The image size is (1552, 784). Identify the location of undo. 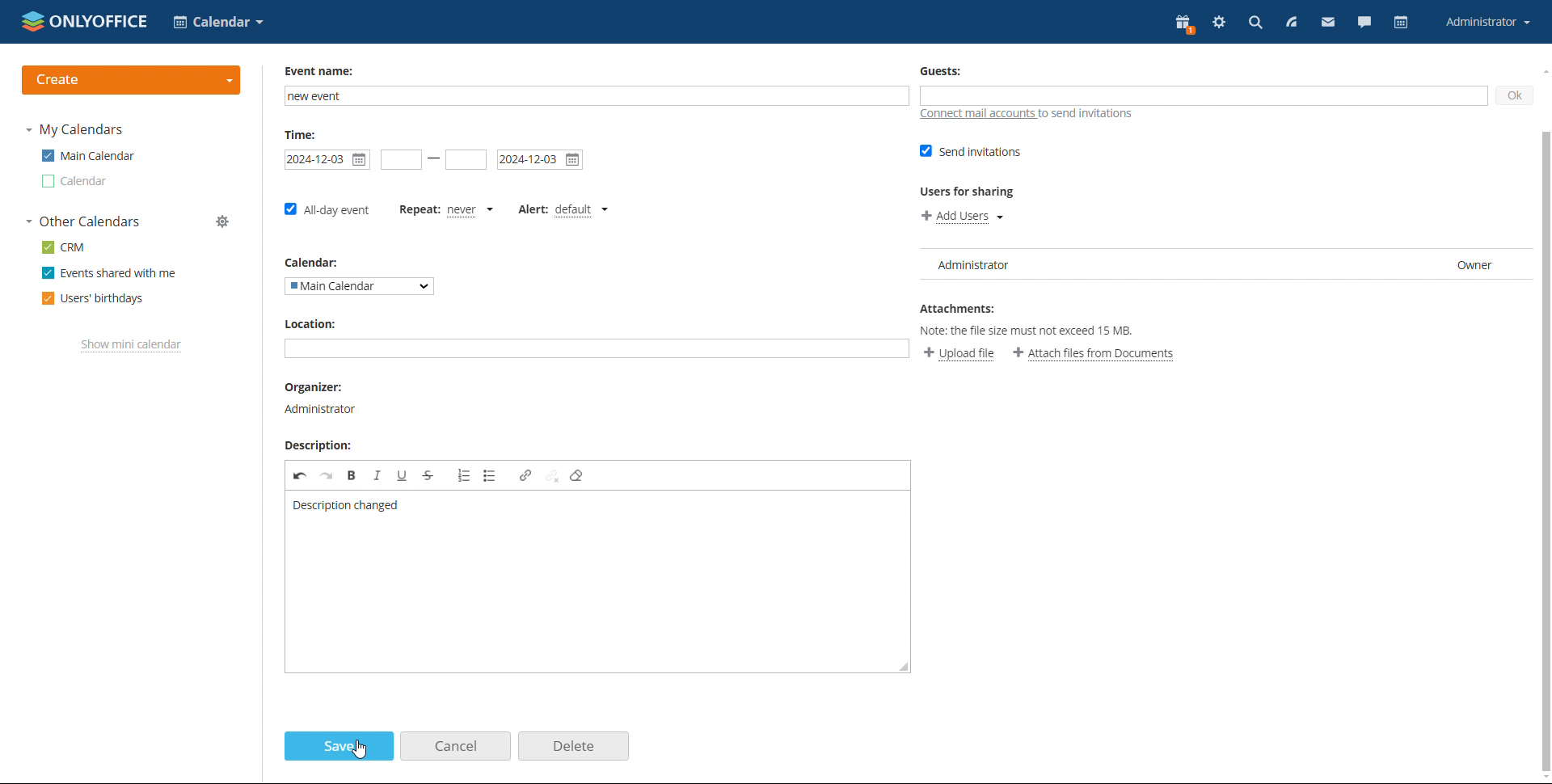
(298, 476).